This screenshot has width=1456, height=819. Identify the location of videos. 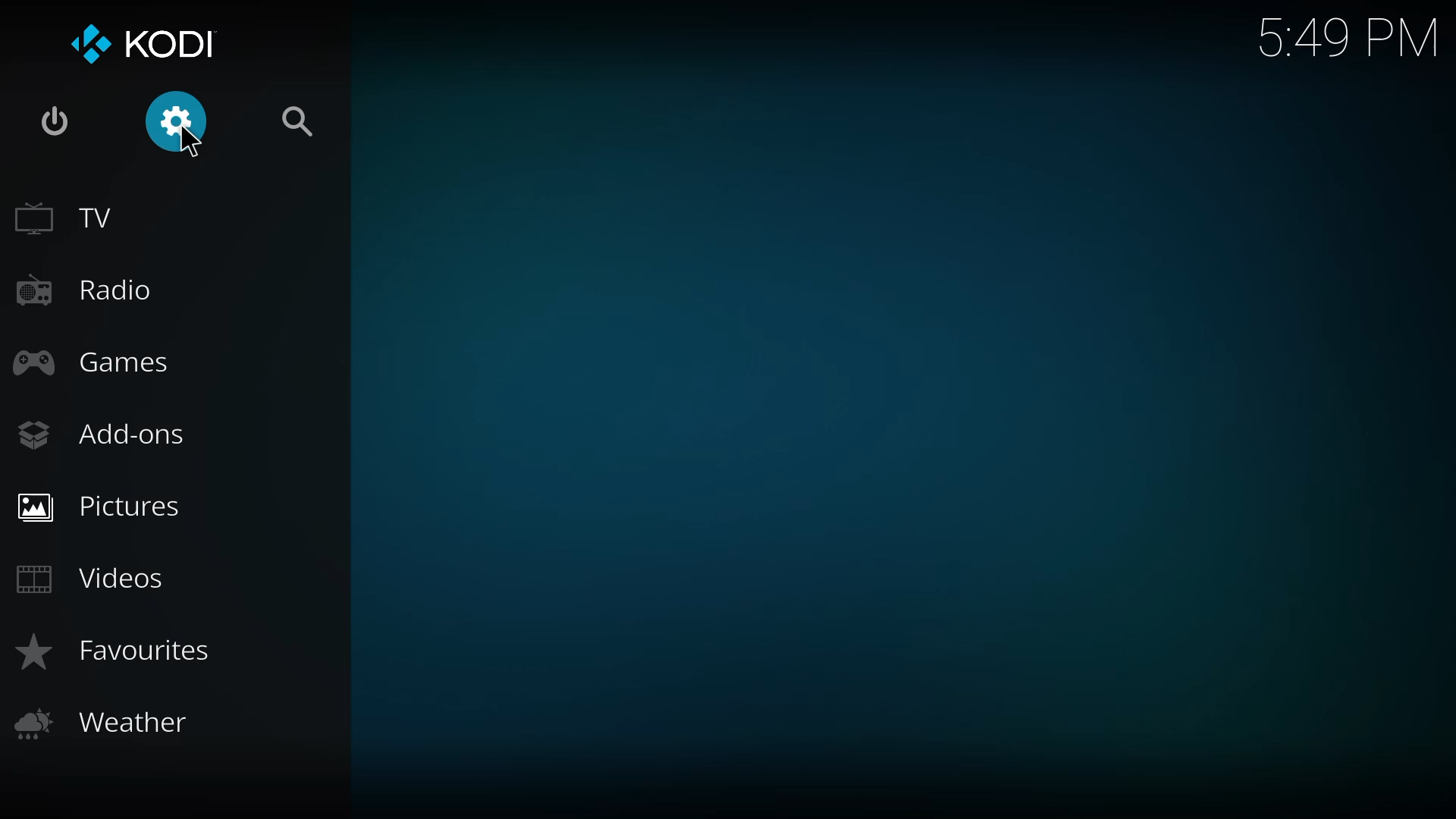
(93, 576).